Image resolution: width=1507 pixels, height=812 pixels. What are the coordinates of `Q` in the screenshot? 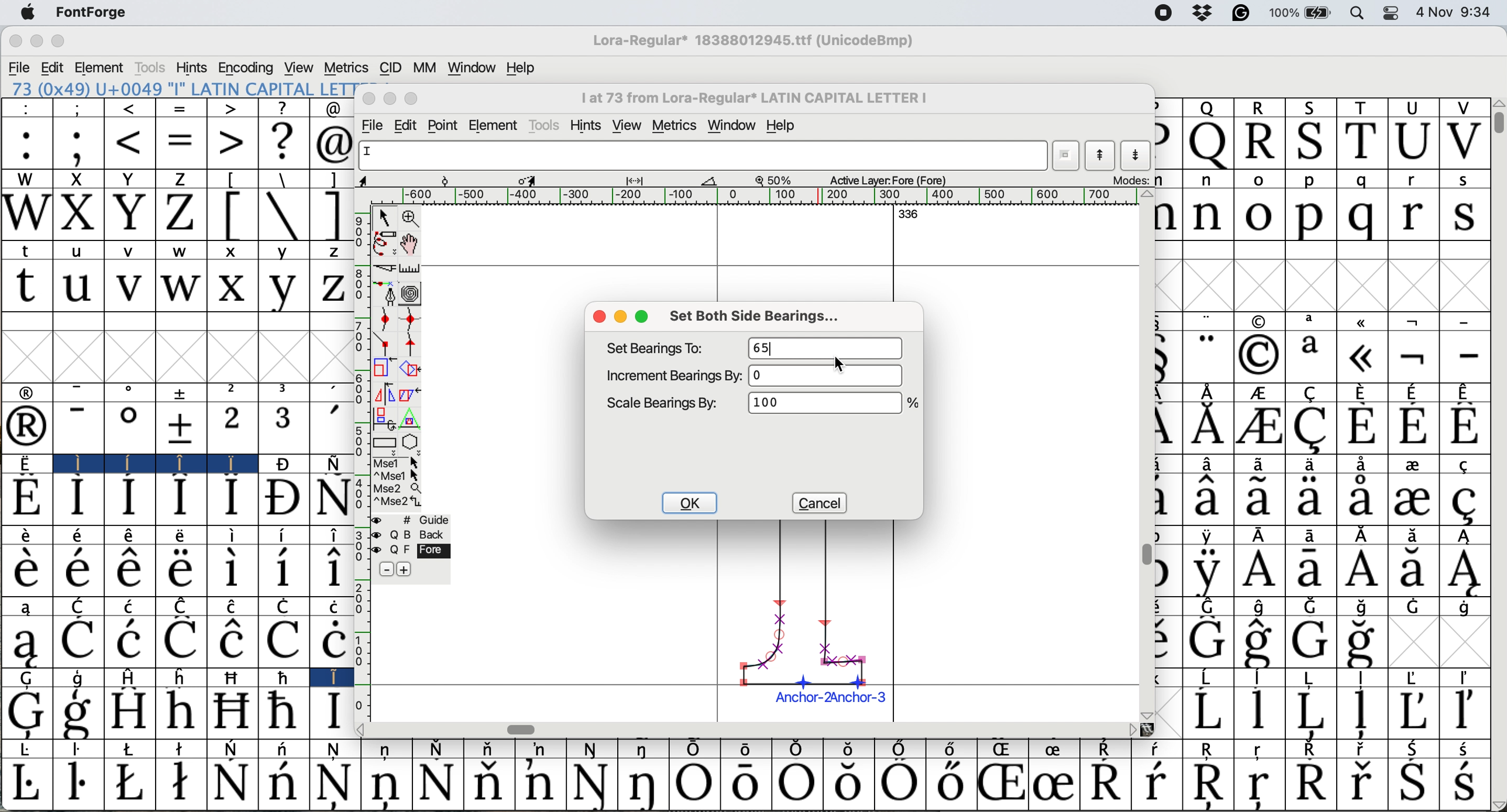 It's located at (1207, 107).